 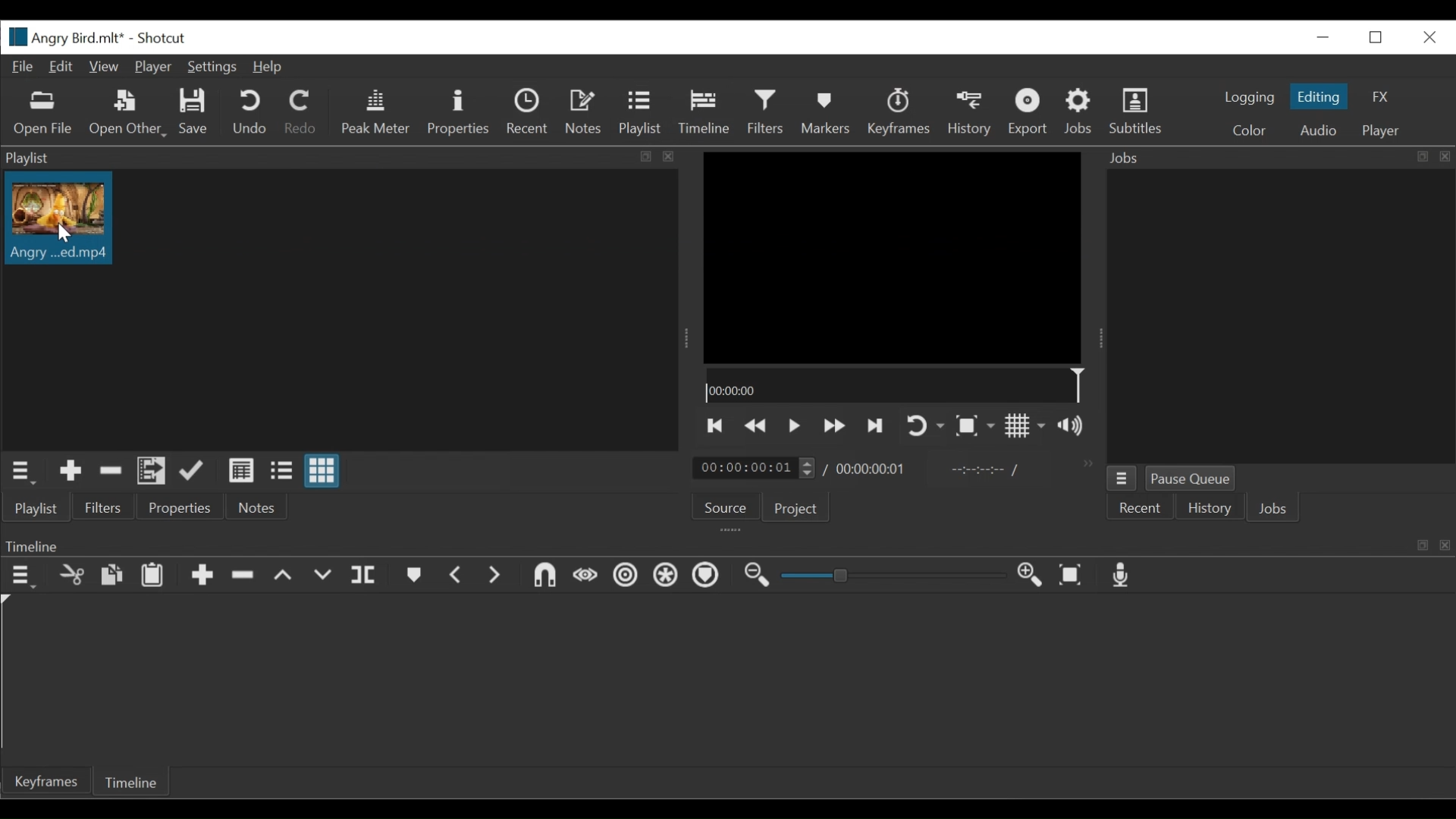 I want to click on Filters, so click(x=767, y=111).